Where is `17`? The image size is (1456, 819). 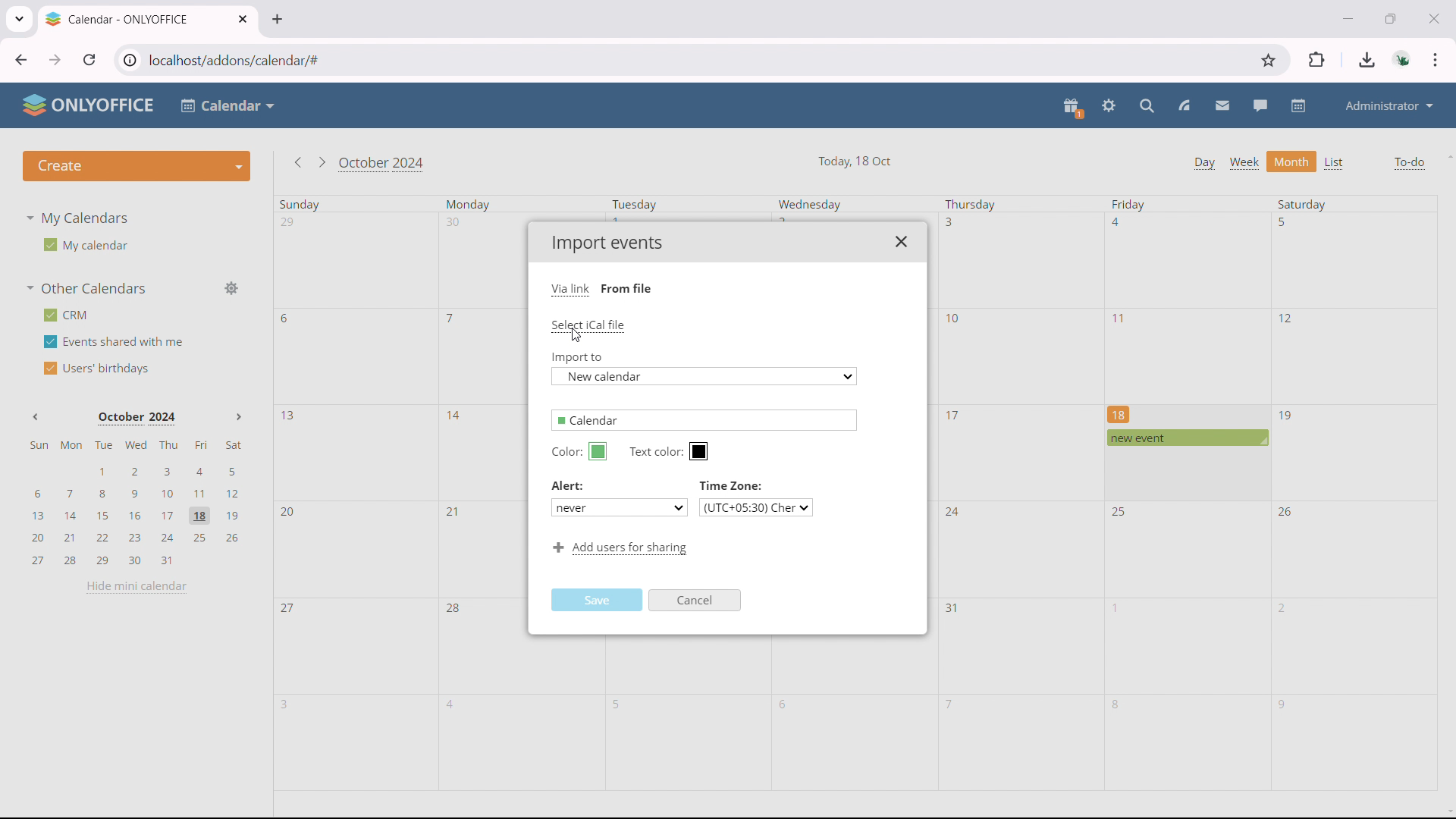 17 is located at coordinates (953, 415).